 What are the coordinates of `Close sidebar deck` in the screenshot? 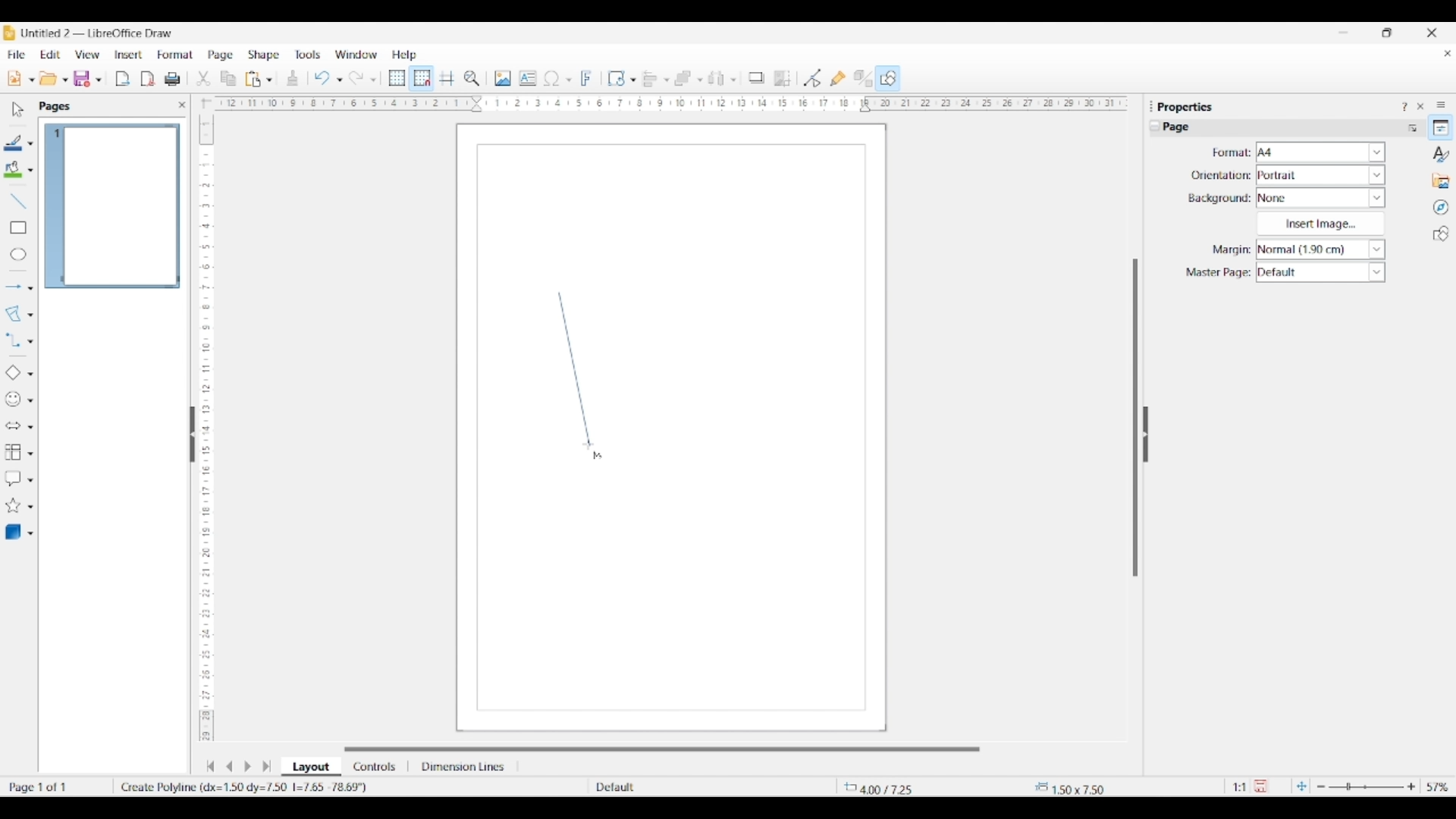 It's located at (1420, 106).